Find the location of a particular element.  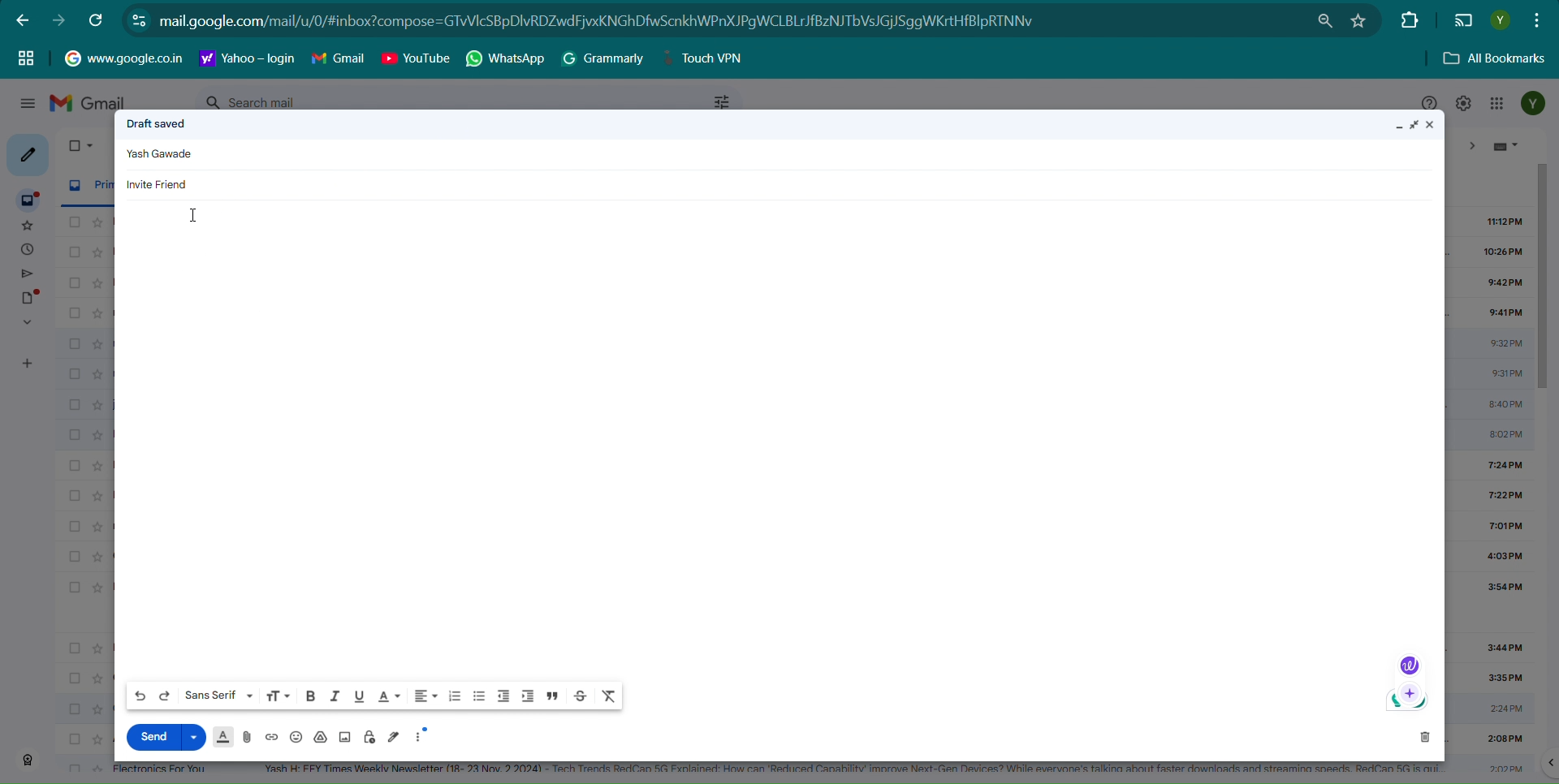

Toggle confidential mode is located at coordinates (370, 737).